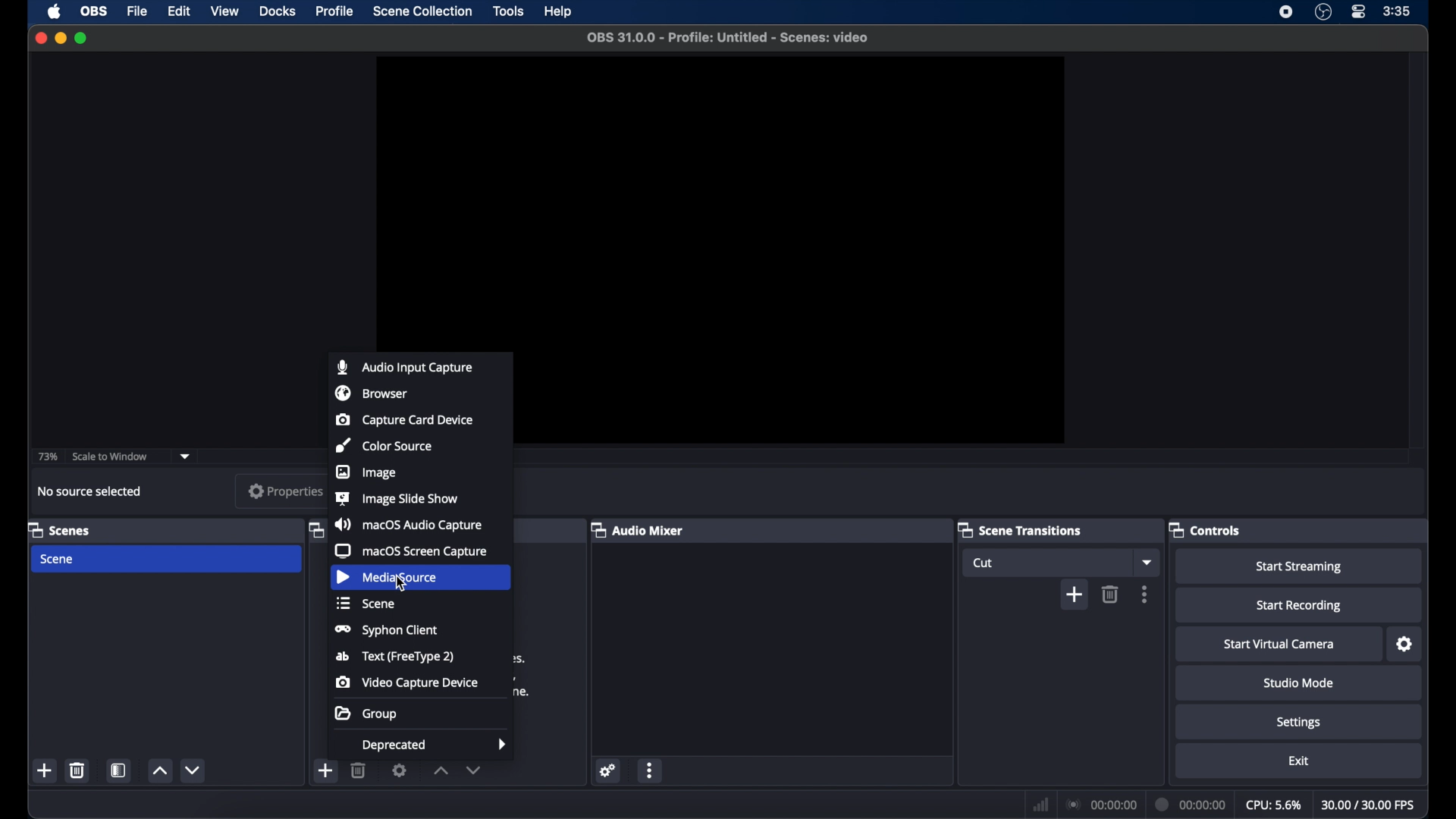 This screenshot has height=819, width=1456. What do you see at coordinates (720, 197) in the screenshot?
I see `preview` at bounding box center [720, 197].